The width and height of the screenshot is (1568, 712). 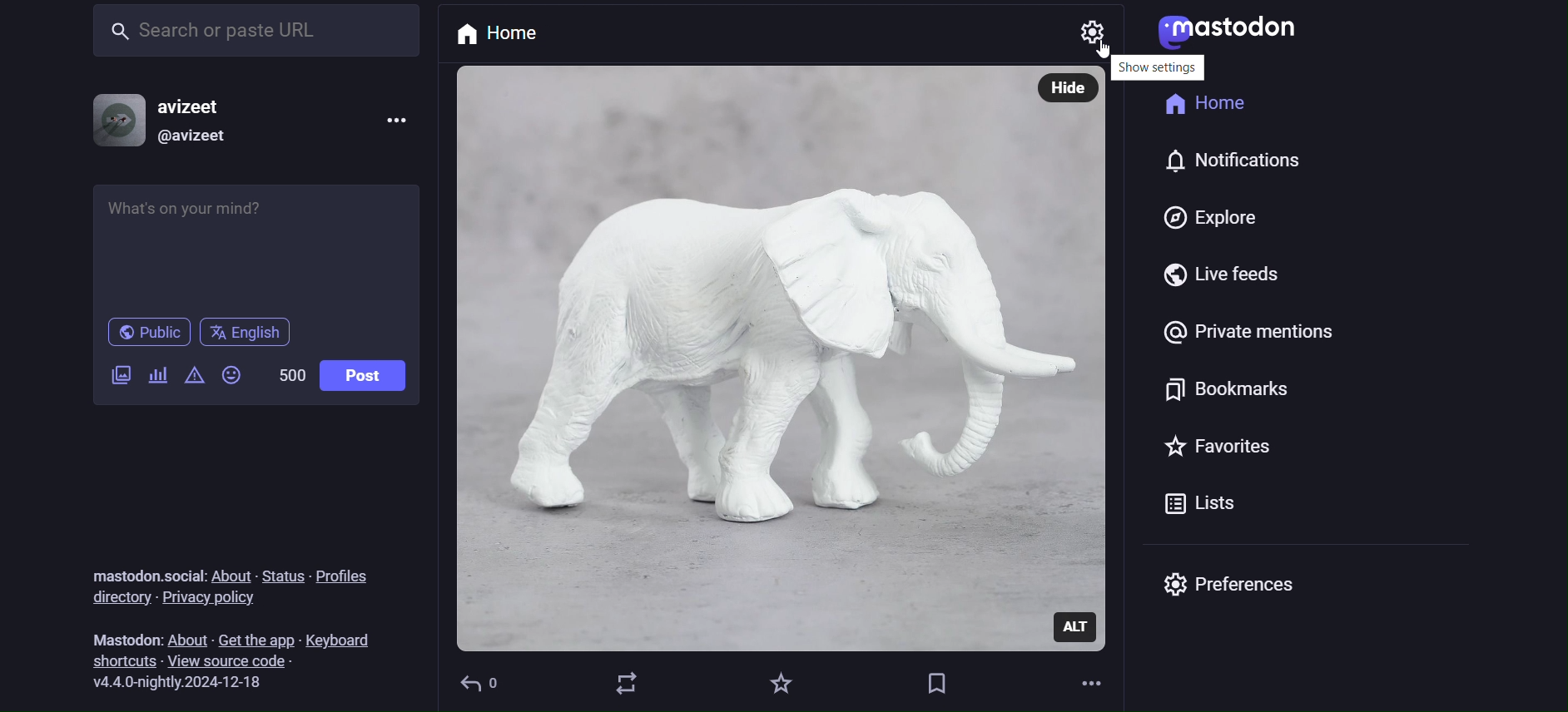 What do you see at coordinates (1208, 108) in the screenshot?
I see `Home` at bounding box center [1208, 108].